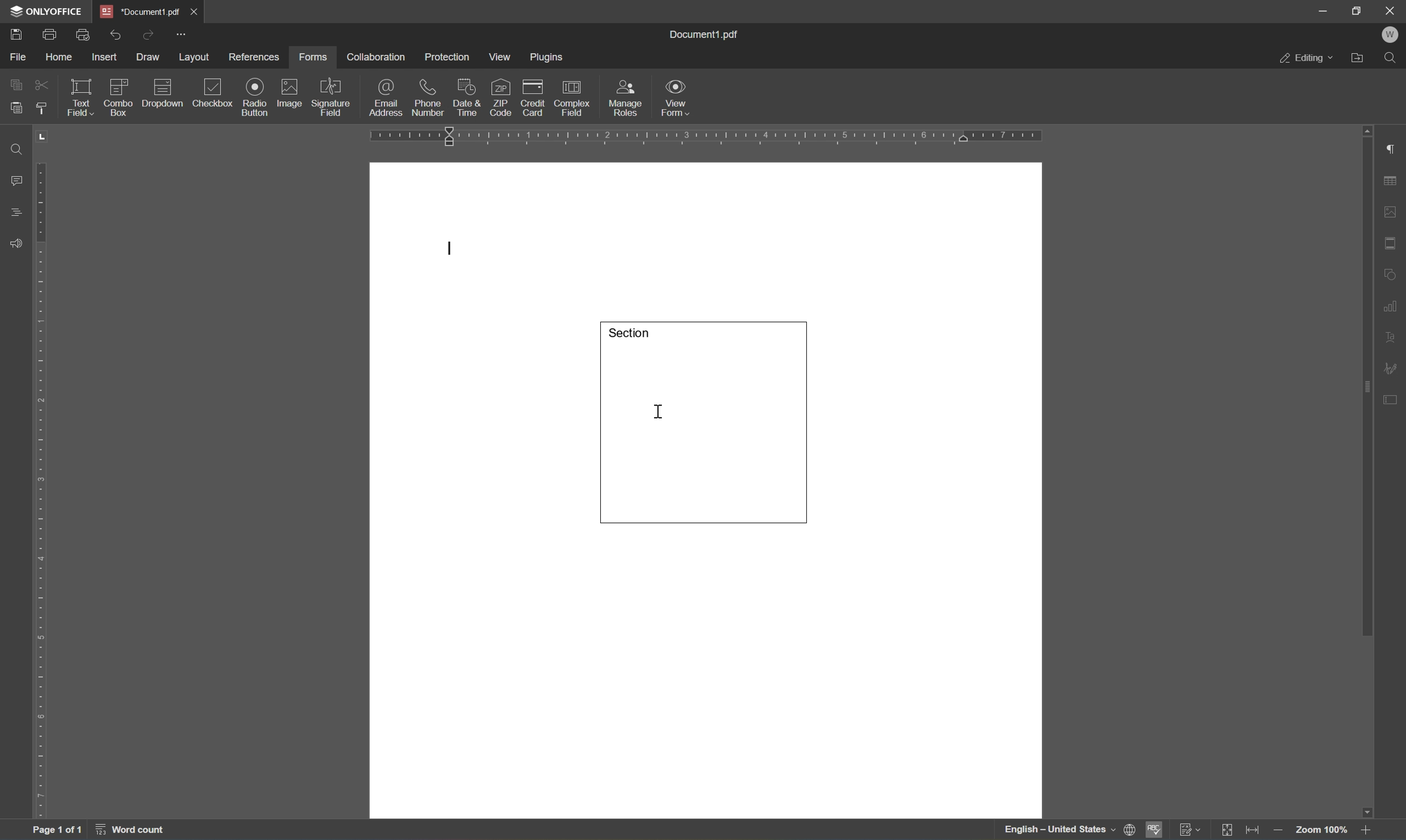 Image resolution: width=1406 pixels, height=840 pixels. What do you see at coordinates (78, 96) in the screenshot?
I see `text field` at bounding box center [78, 96].